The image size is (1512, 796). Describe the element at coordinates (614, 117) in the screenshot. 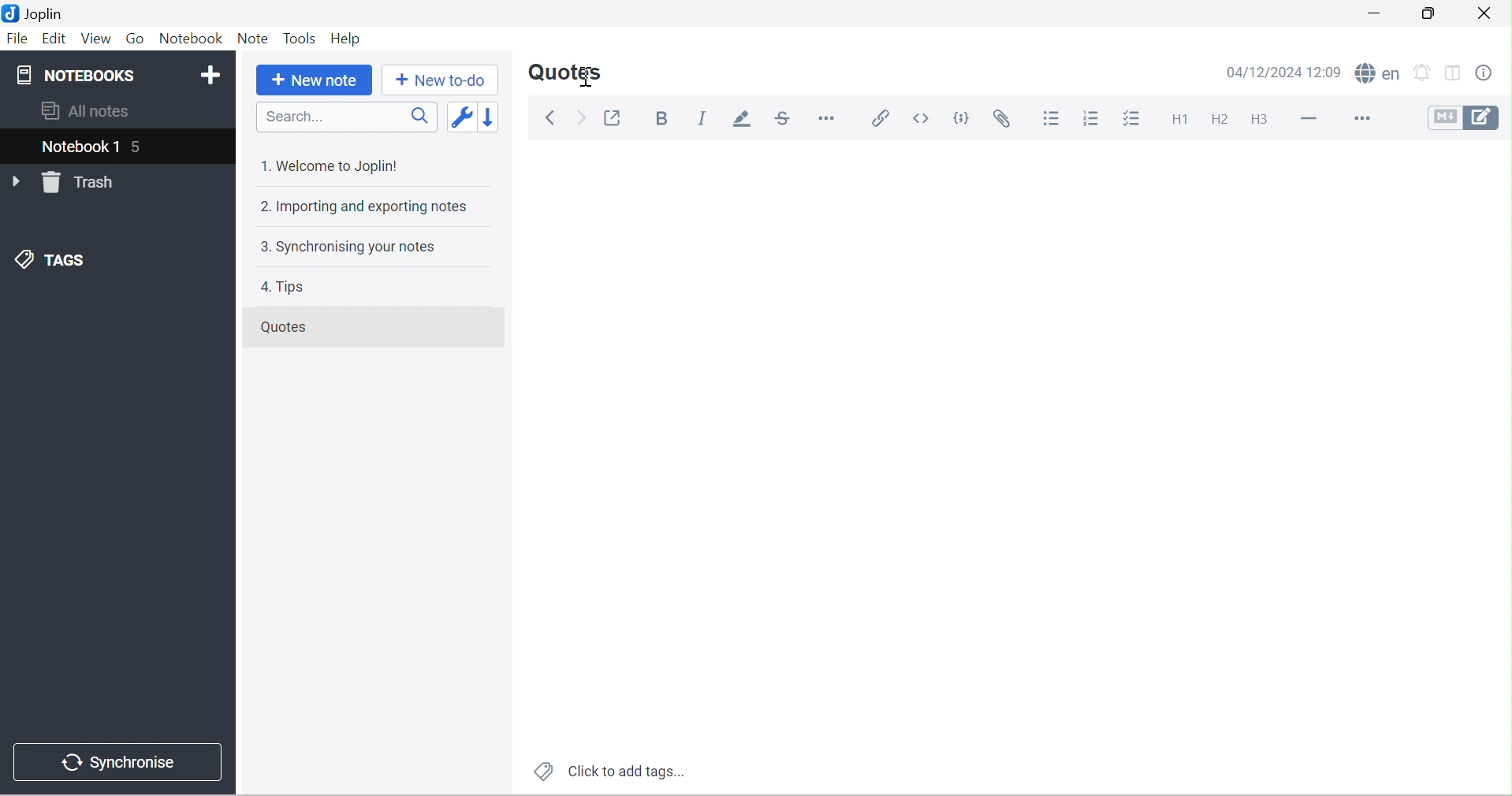

I see `Toggle external editing` at that location.